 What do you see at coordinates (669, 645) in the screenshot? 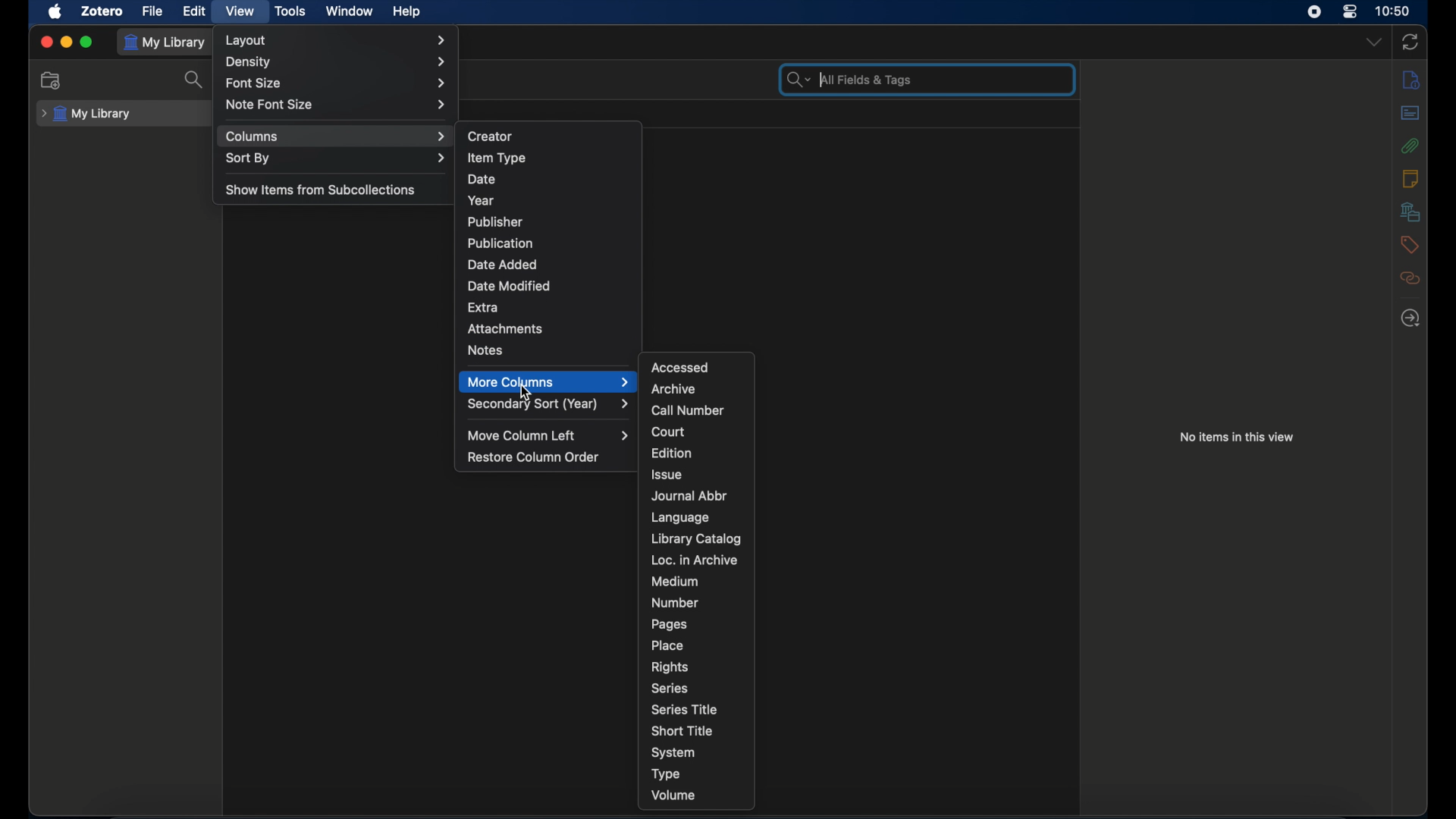
I see `place` at bounding box center [669, 645].